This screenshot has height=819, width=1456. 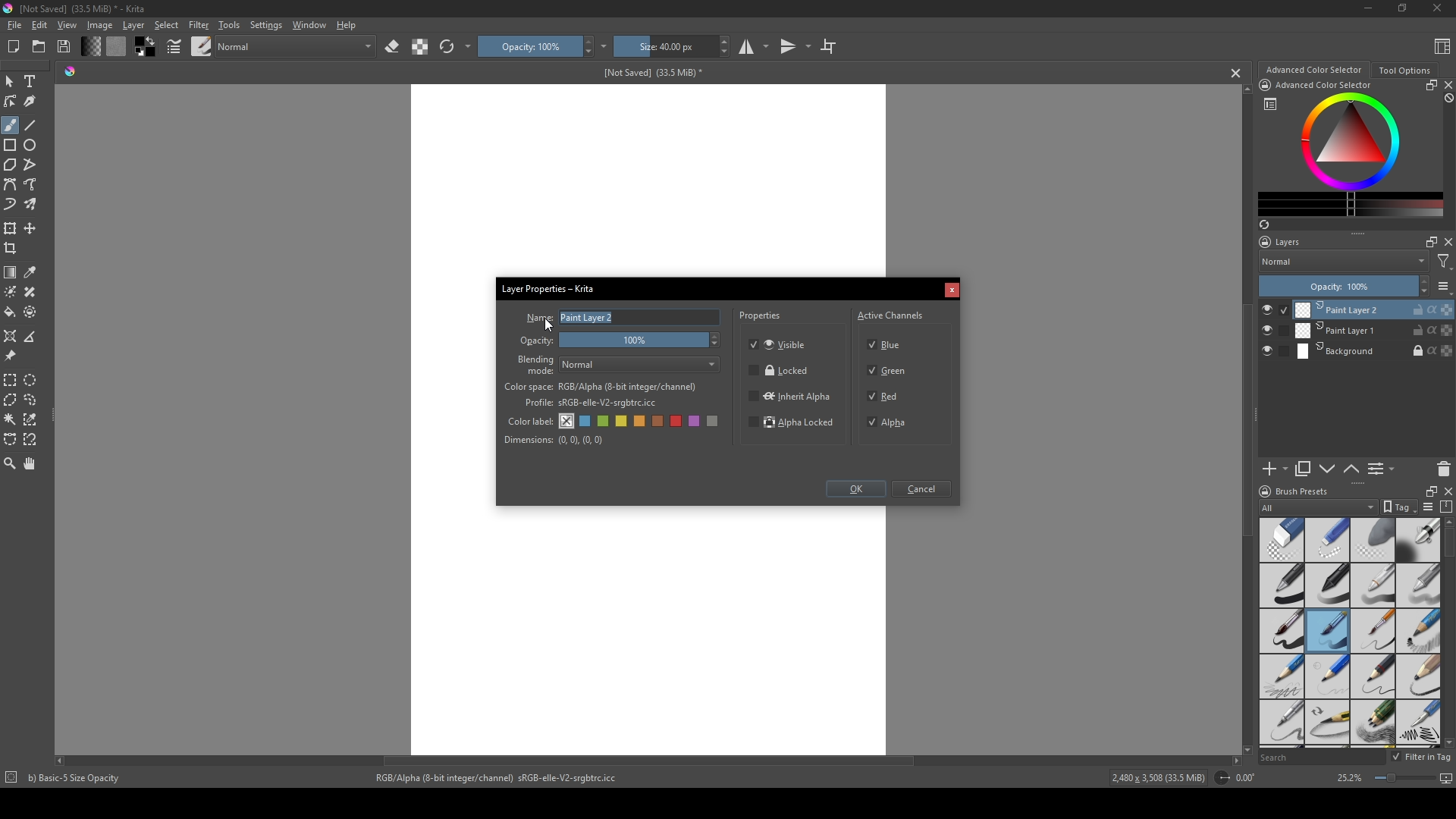 I want to click on up or down, so click(x=1352, y=469).